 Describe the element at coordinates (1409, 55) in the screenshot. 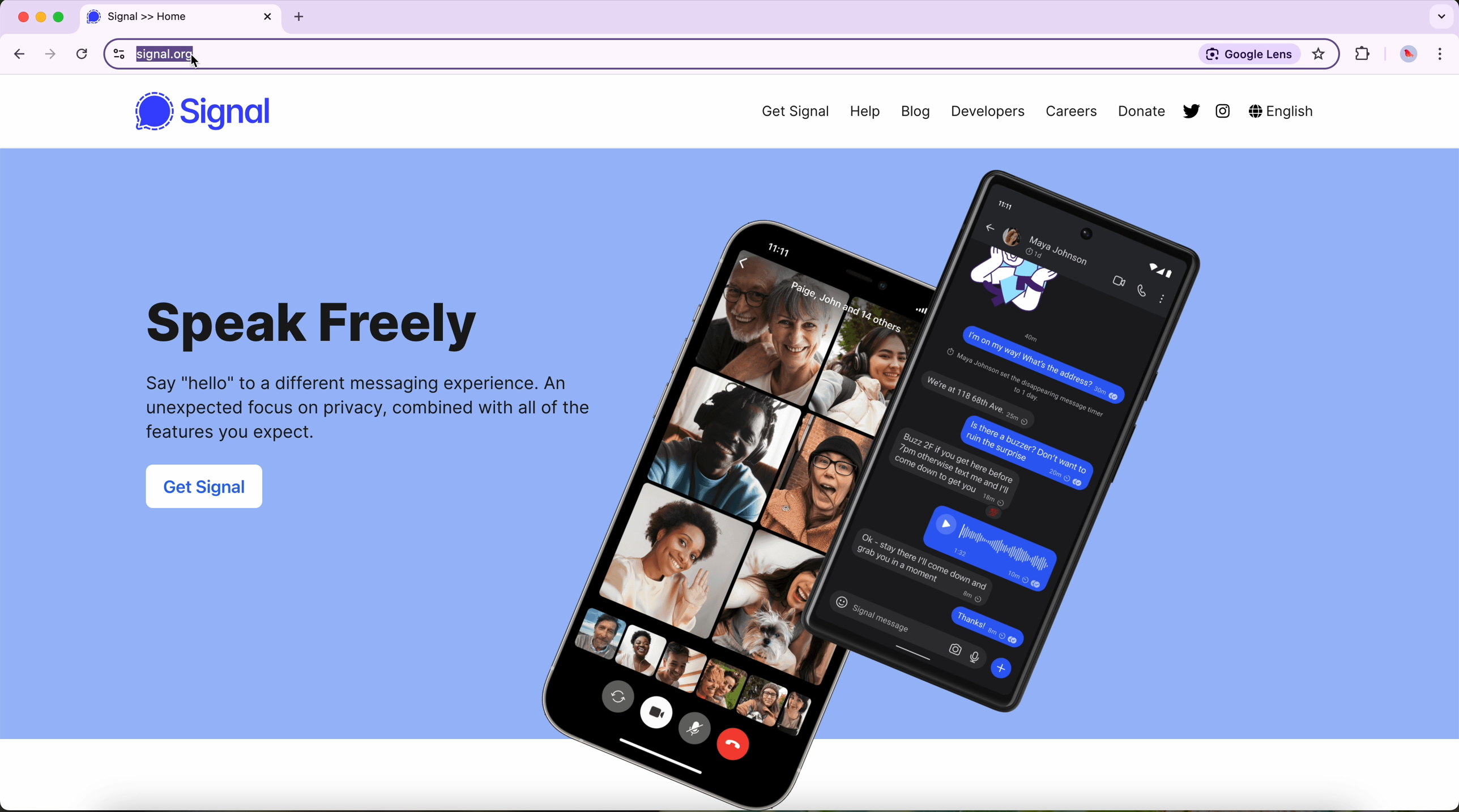

I see `profile picture` at that location.